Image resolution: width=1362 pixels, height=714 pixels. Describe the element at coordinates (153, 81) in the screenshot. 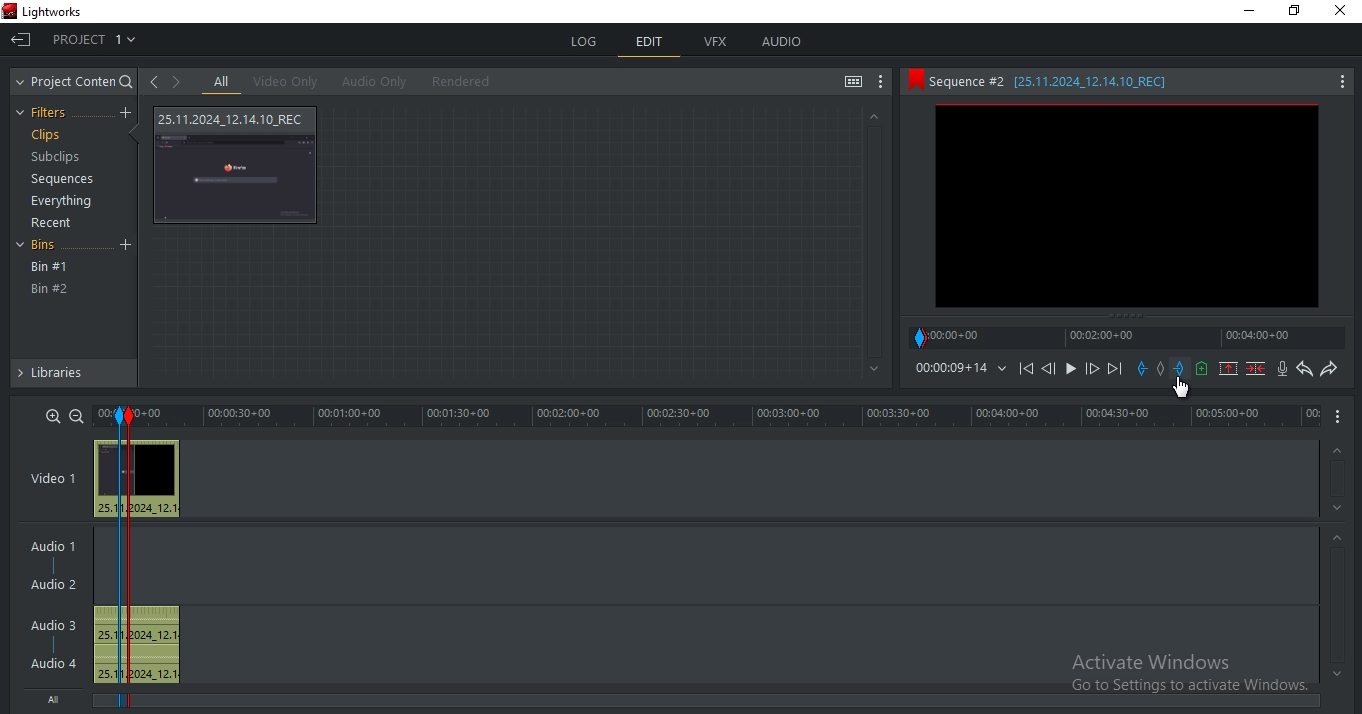

I see `go to previous viewed clip` at that location.